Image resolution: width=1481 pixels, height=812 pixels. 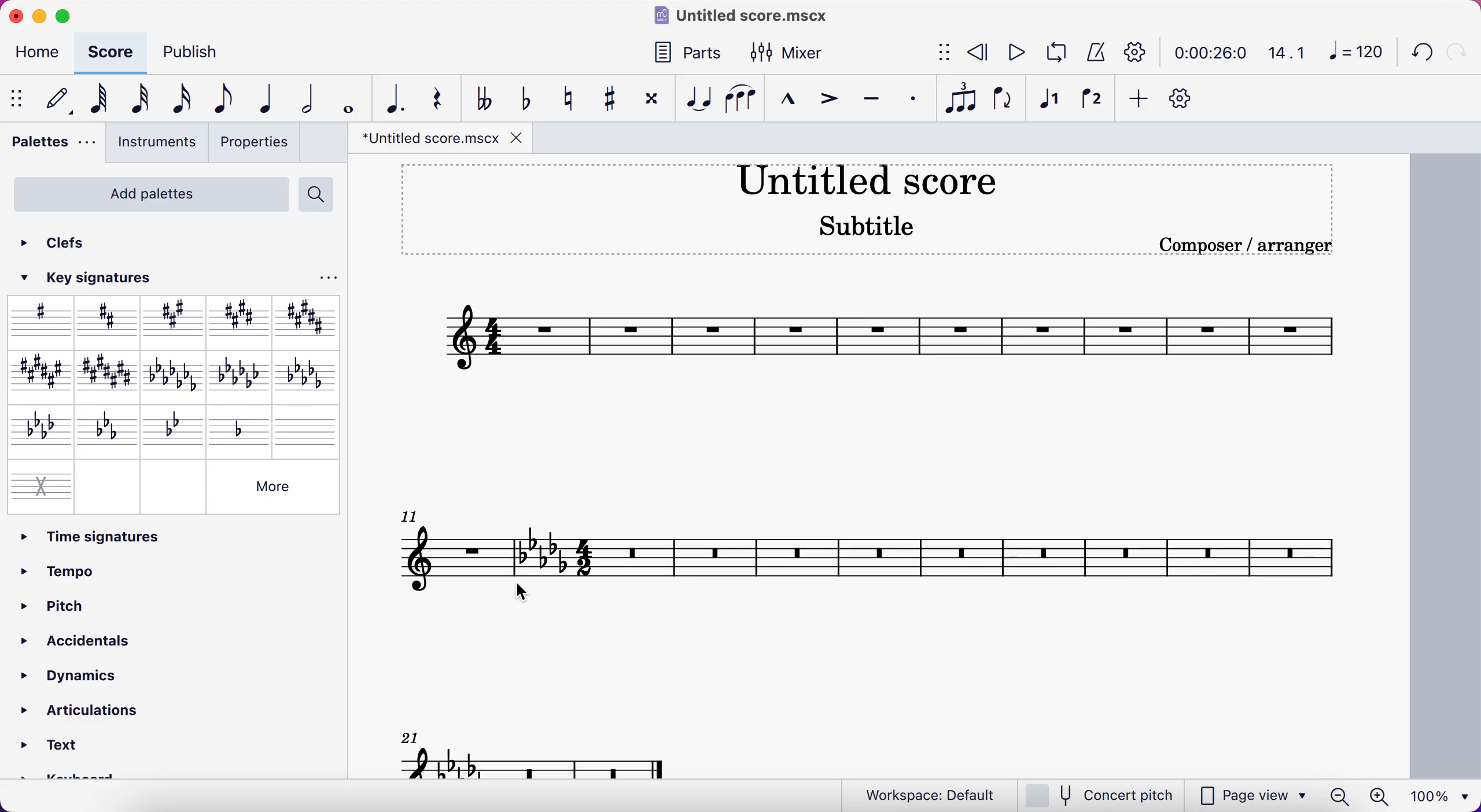 I want to click on C major, so click(x=109, y=375).